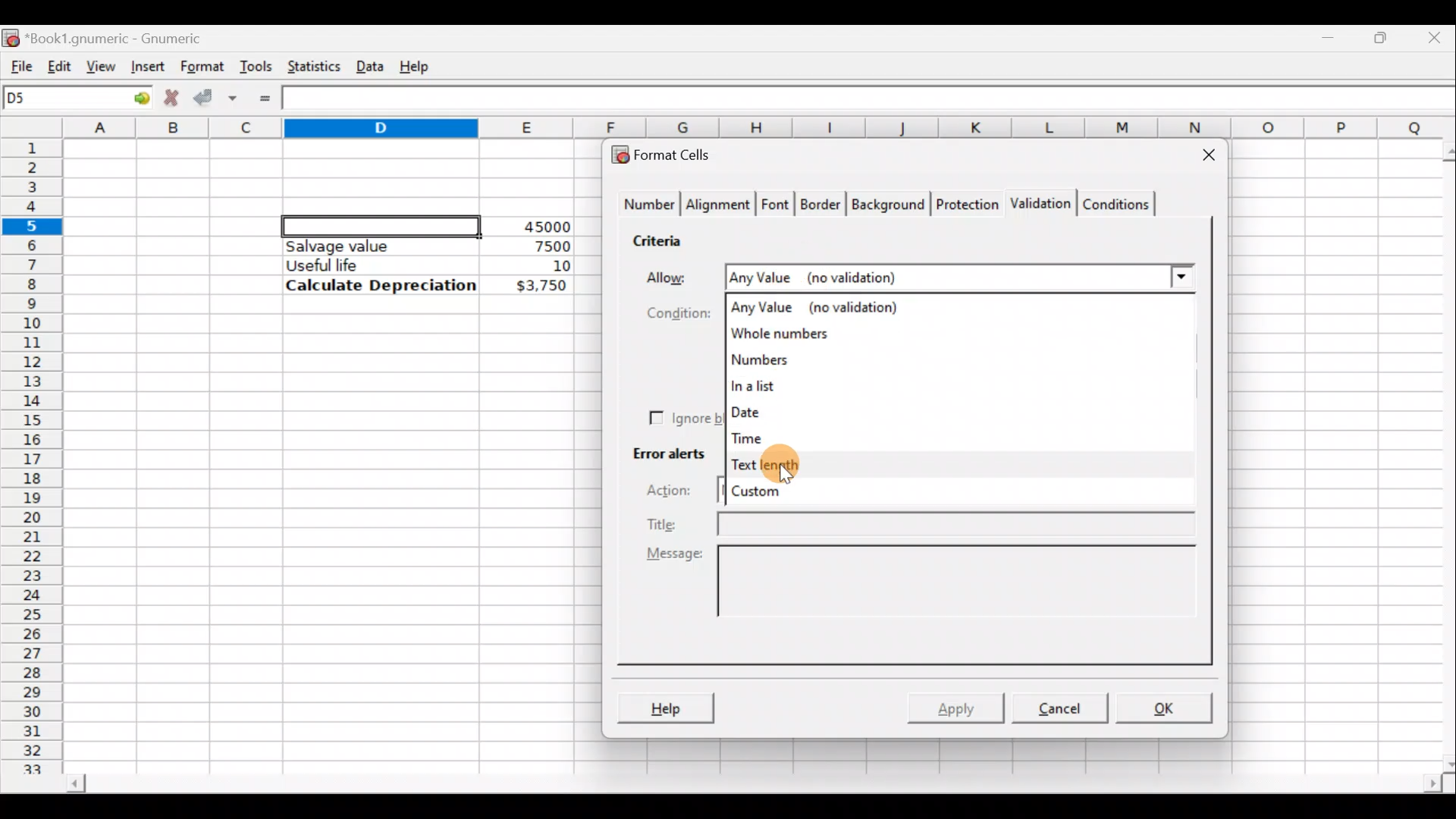  I want to click on Book1.gnumeric - Gnumeric, so click(124, 37).